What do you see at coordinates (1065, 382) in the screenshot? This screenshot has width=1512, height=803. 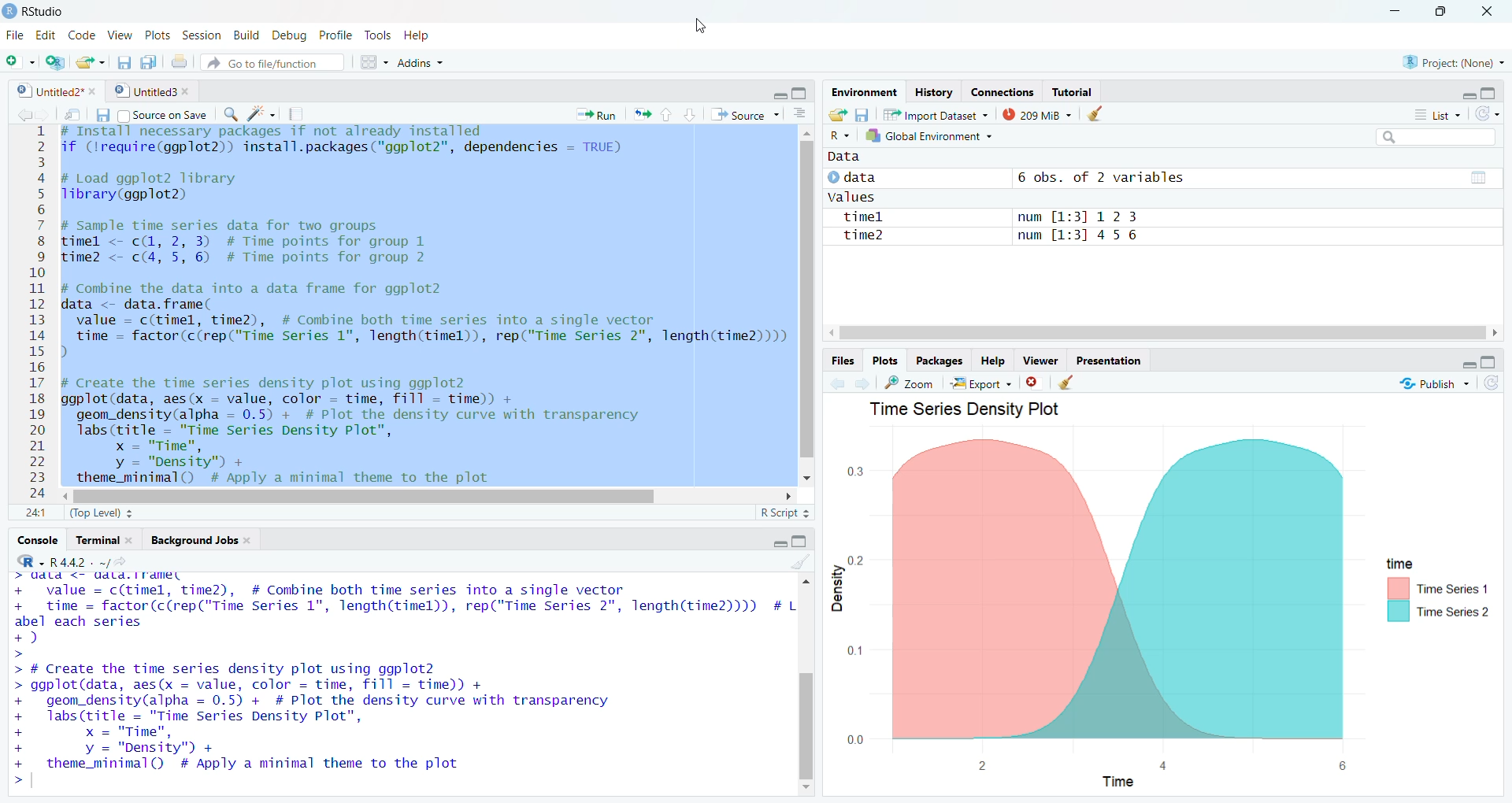 I see `Clean` at bounding box center [1065, 382].